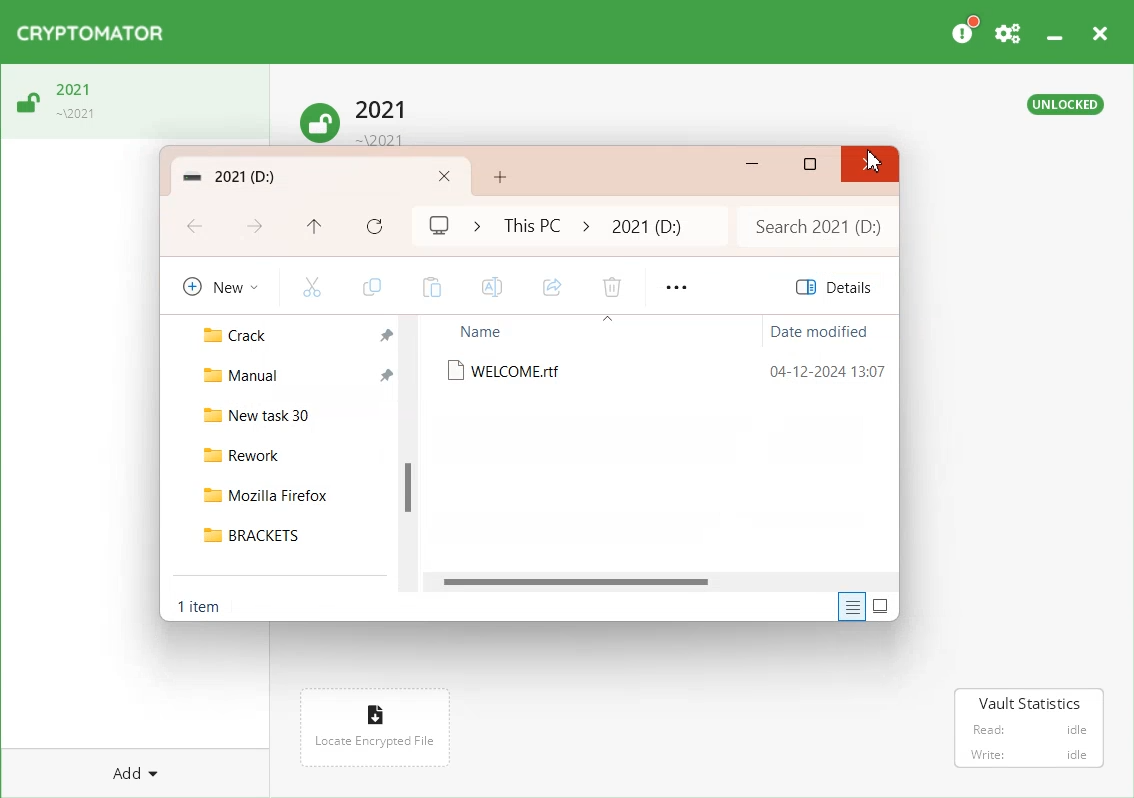 This screenshot has width=1134, height=798. I want to click on Close, so click(1099, 30).